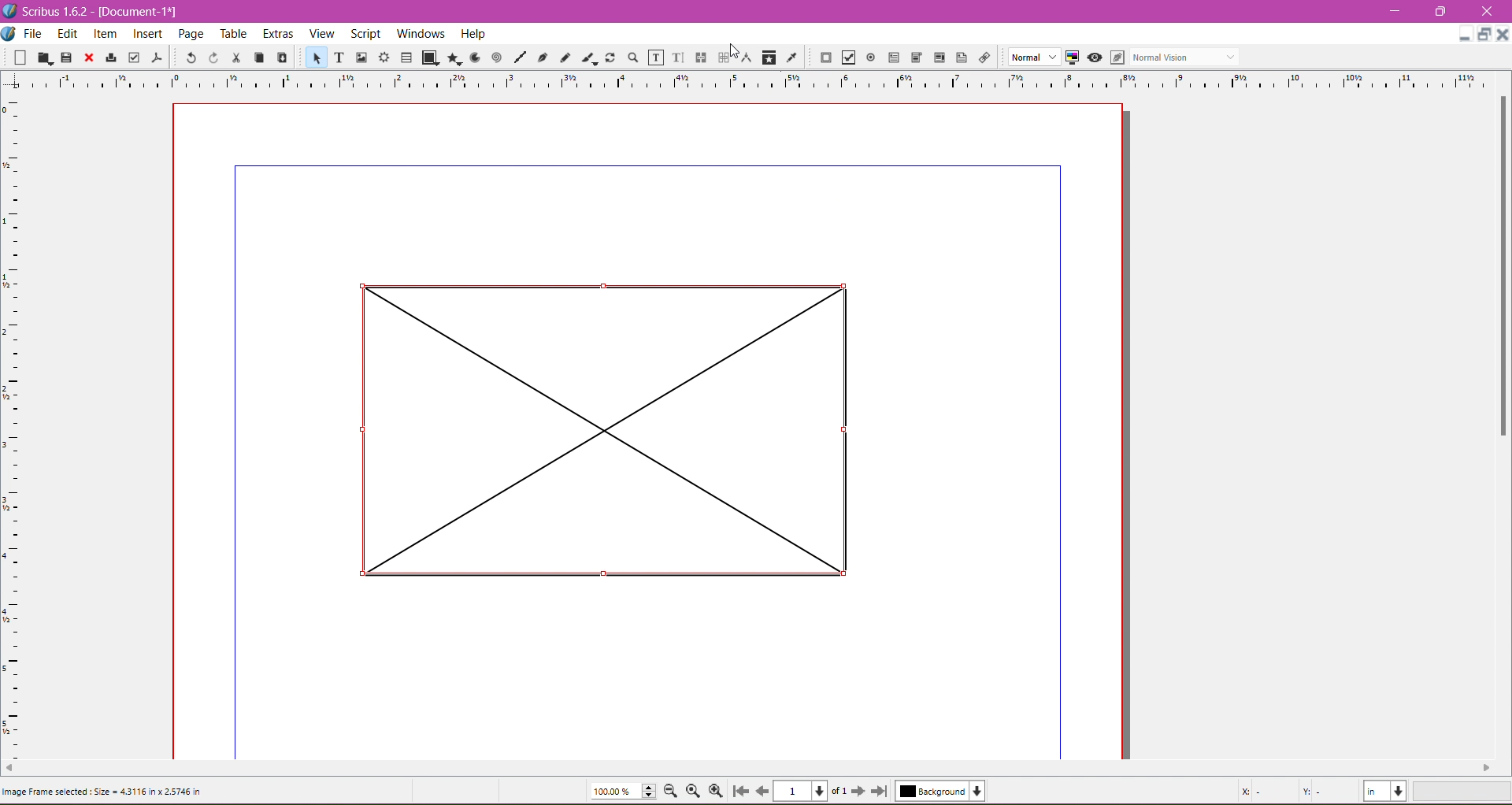 This screenshot has width=1512, height=805. Describe the element at coordinates (737, 48) in the screenshot. I see `Cursor` at that location.